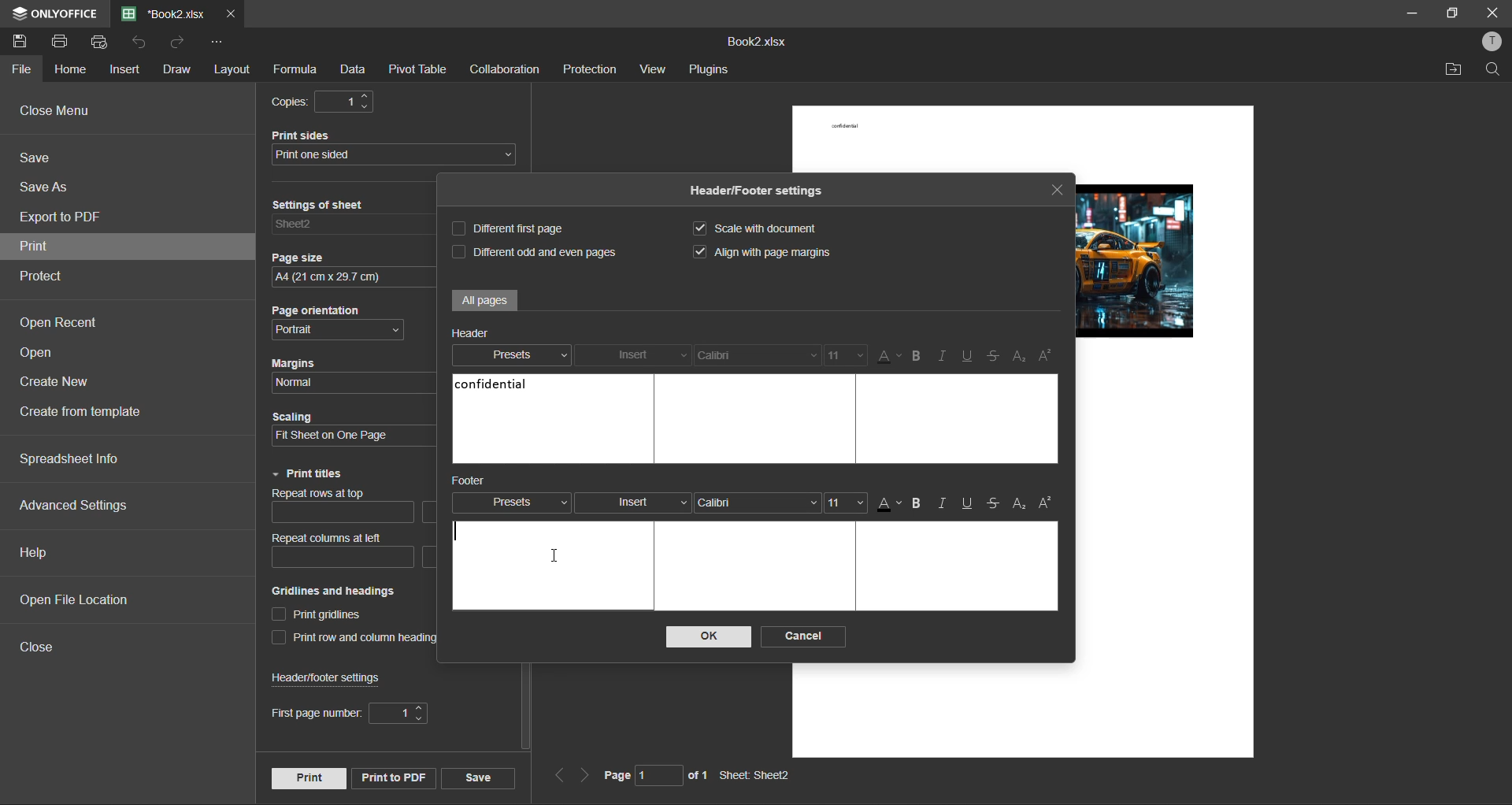 The image size is (1512, 805). Describe the element at coordinates (1047, 506) in the screenshot. I see `superscript` at that location.